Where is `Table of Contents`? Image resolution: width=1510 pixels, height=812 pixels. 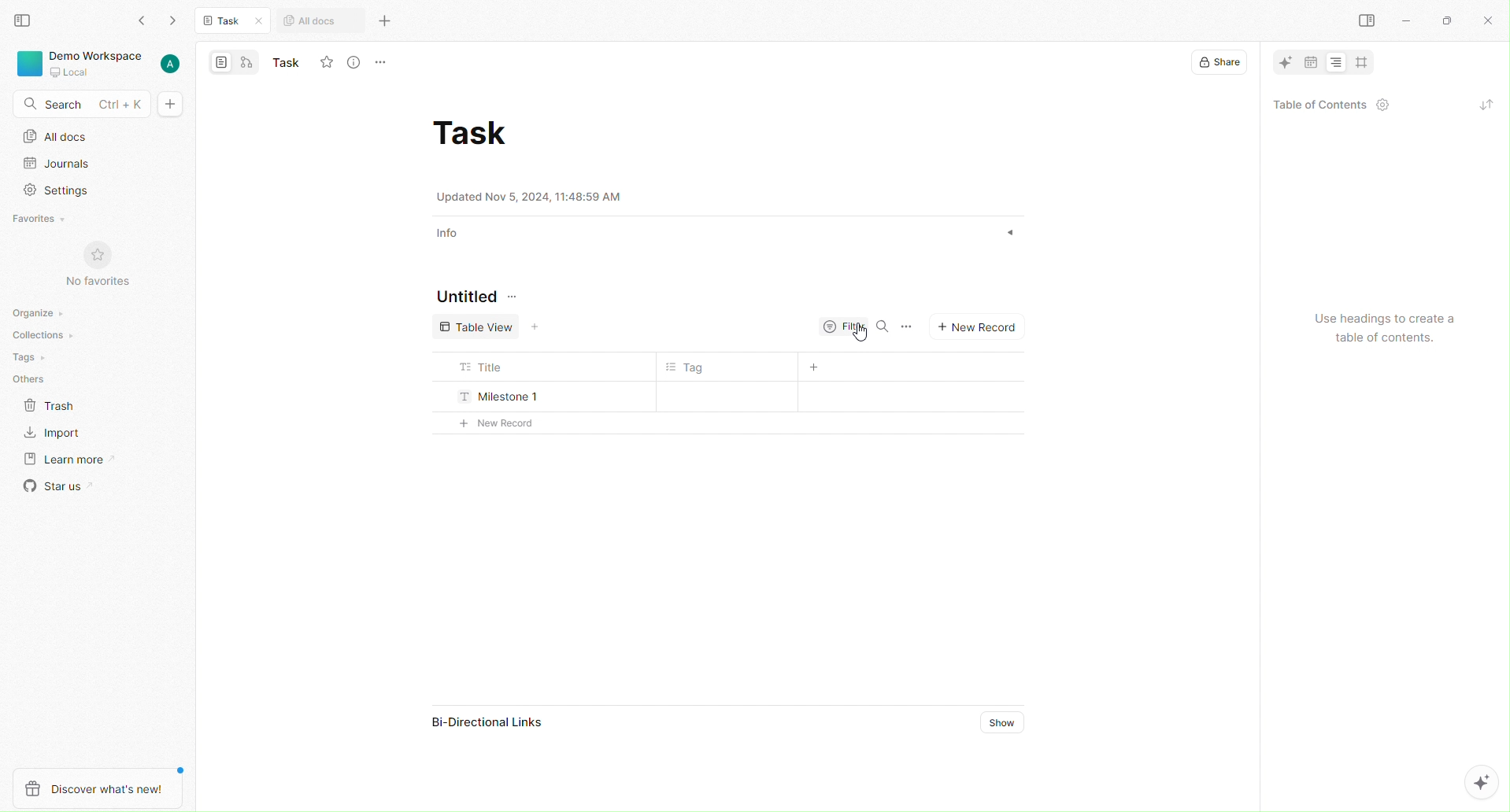 Table of Contents is located at coordinates (1328, 106).